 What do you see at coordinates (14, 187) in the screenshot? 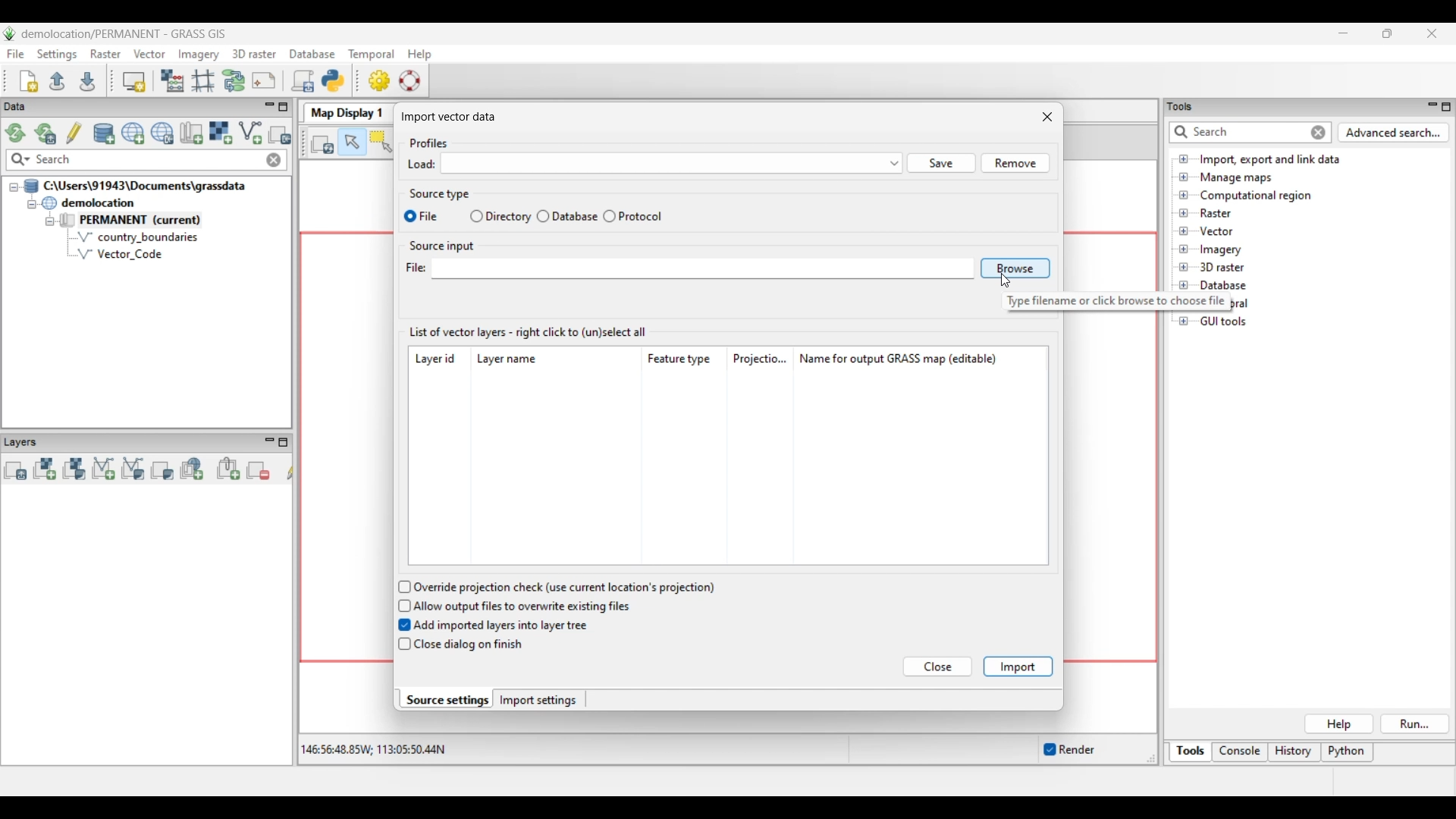
I see `Collapse file thread ` at bounding box center [14, 187].